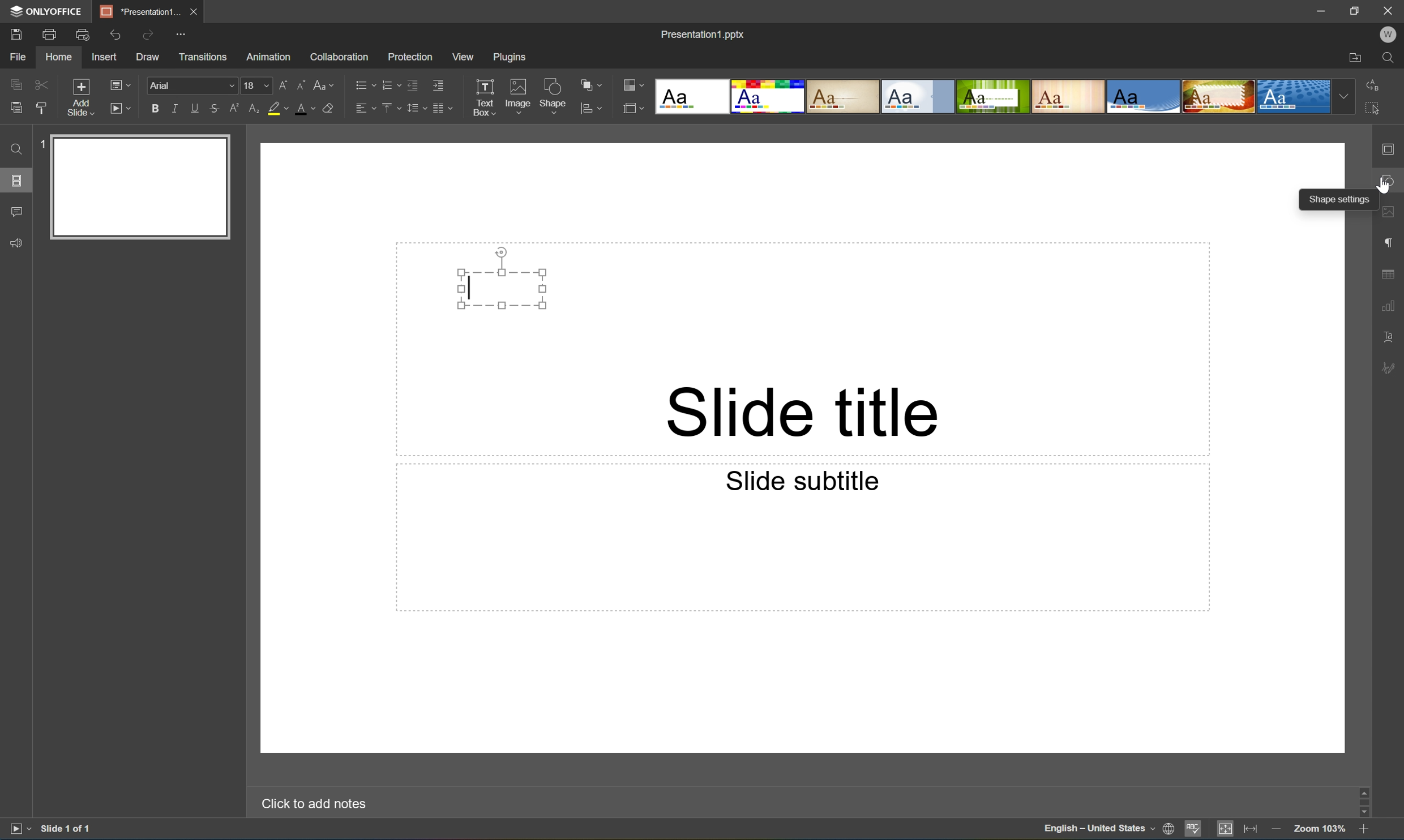 Image resolution: width=1404 pixels, height=840 pixels. I want to click on Numbering, so click(389, 84).